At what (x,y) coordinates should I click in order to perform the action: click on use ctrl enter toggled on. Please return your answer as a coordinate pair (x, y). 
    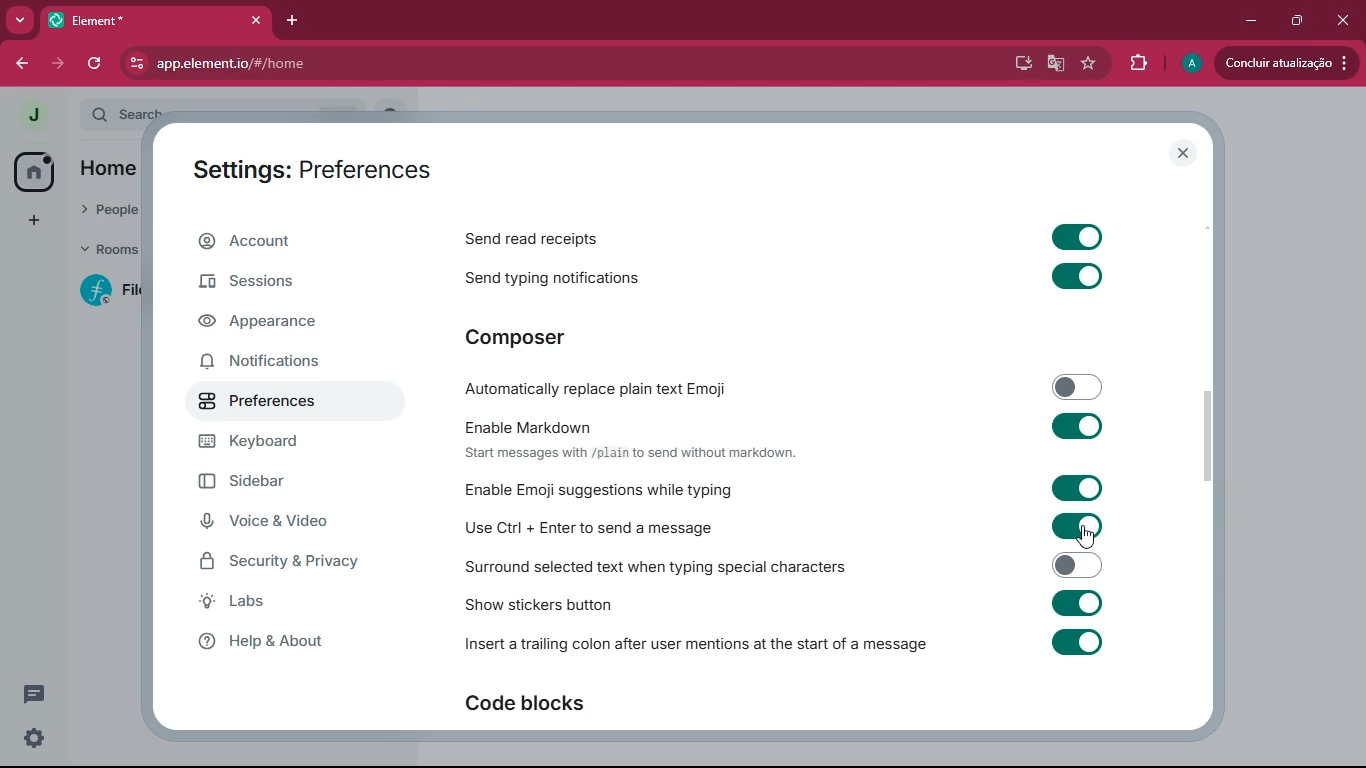
    Looking at the image, I should click on (593, 530).